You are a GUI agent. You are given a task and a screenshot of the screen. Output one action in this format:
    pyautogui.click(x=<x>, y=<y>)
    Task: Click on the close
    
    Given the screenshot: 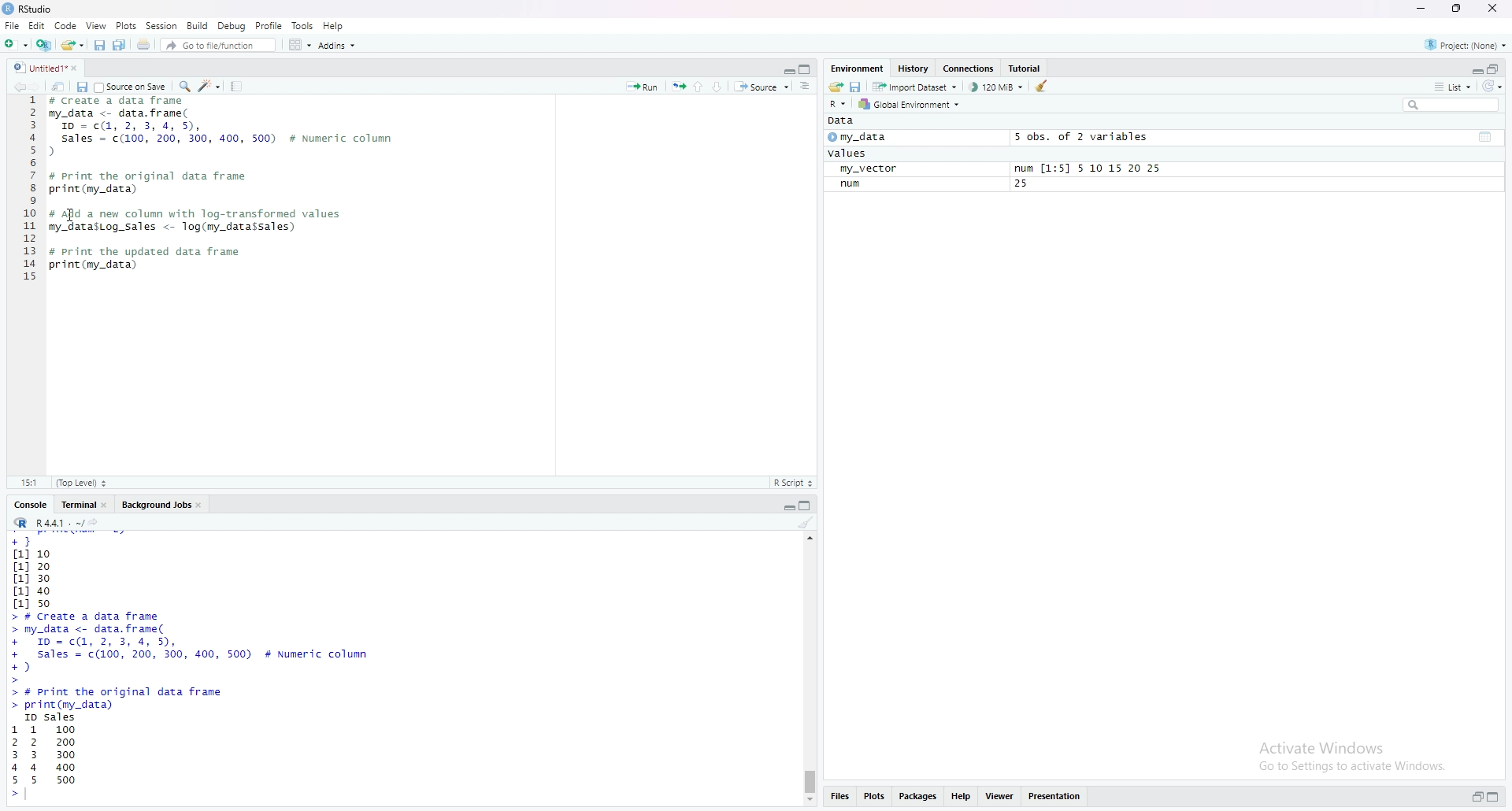 What is the action you would take?
    pyautogui.click(x=80, y=69)
    